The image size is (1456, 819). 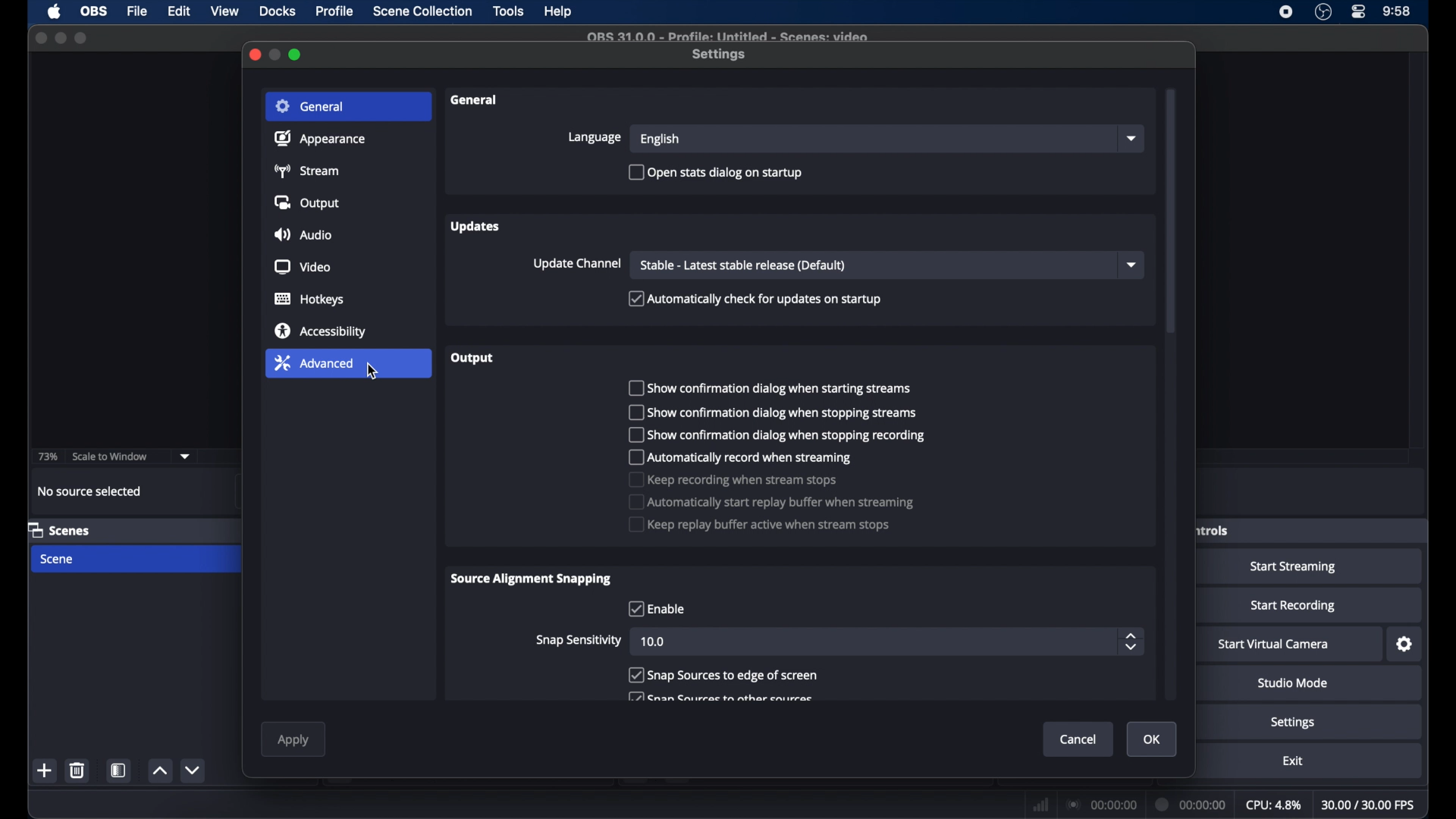 What do you see at coordinates (254, 55) in the screenshot?
I see `close` at bounding box center [254, 55].